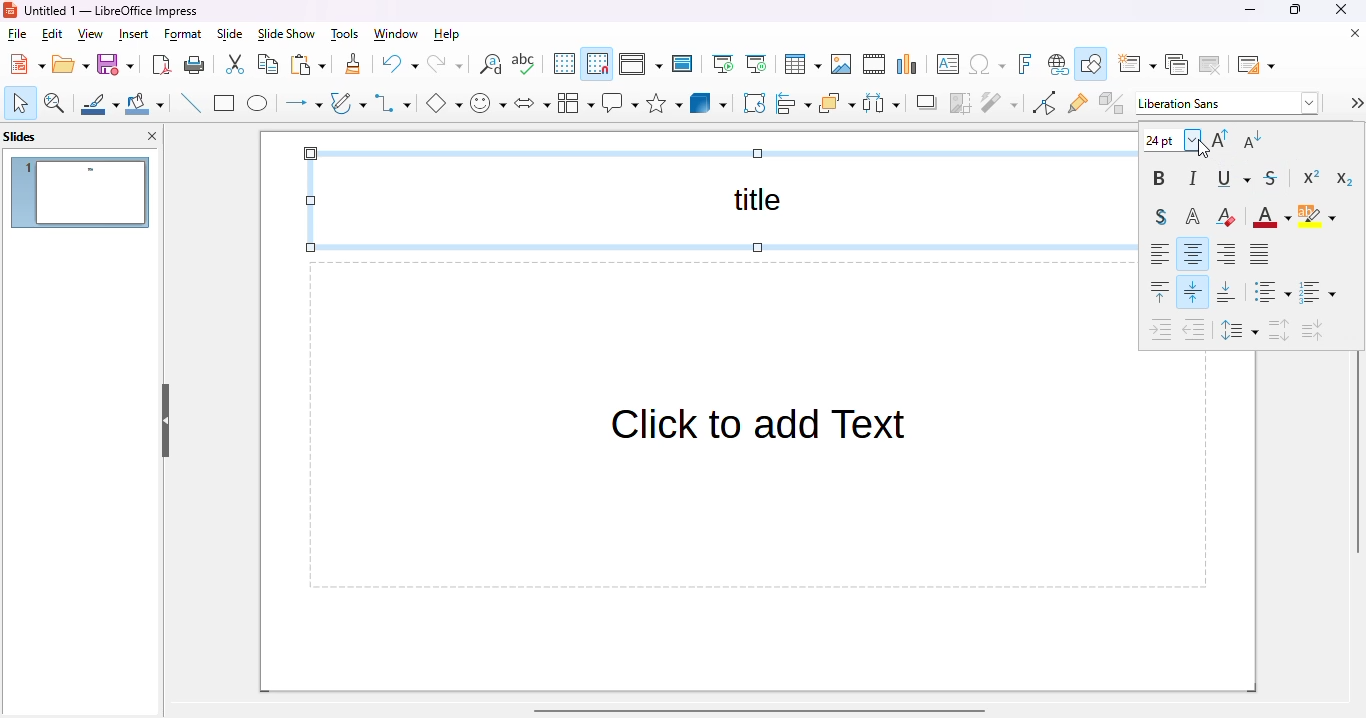 The image size is (1366, 718). Describe the element at coordinates (1295, 10) in the screenshot. I see `maximize` at that location.